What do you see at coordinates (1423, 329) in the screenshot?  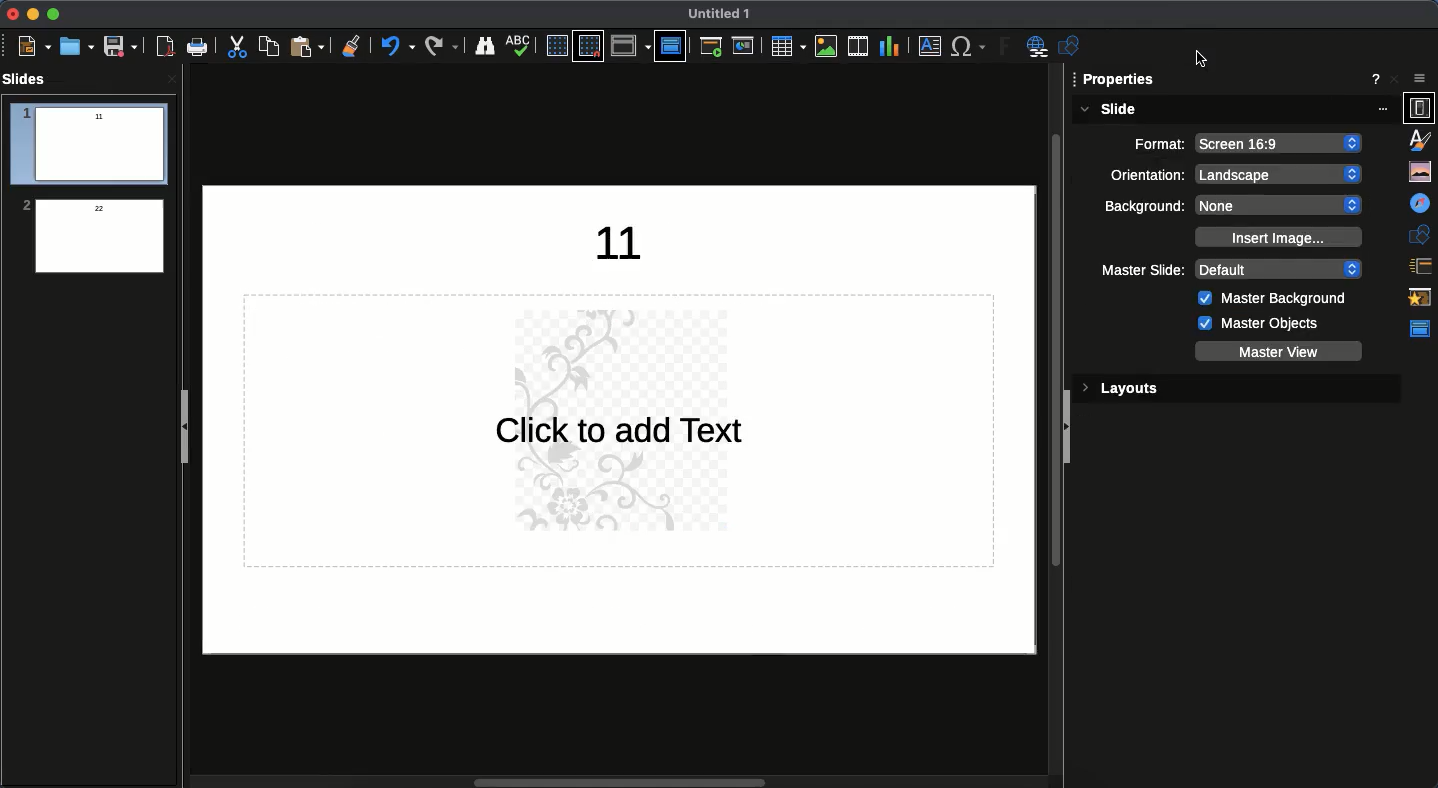 I see `Master slide` at bounding box center [1423, 329].